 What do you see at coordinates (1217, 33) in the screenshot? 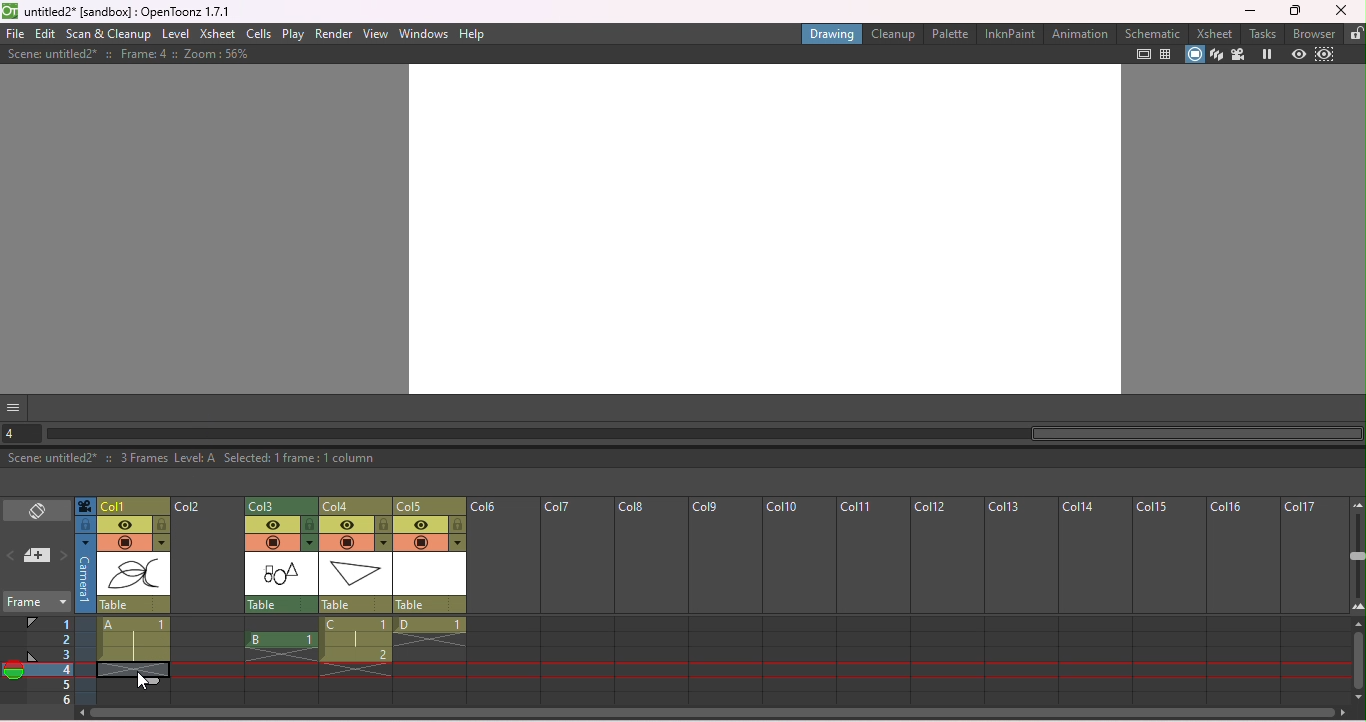
I see `Xsheet` at bounding box center [1217, 33].